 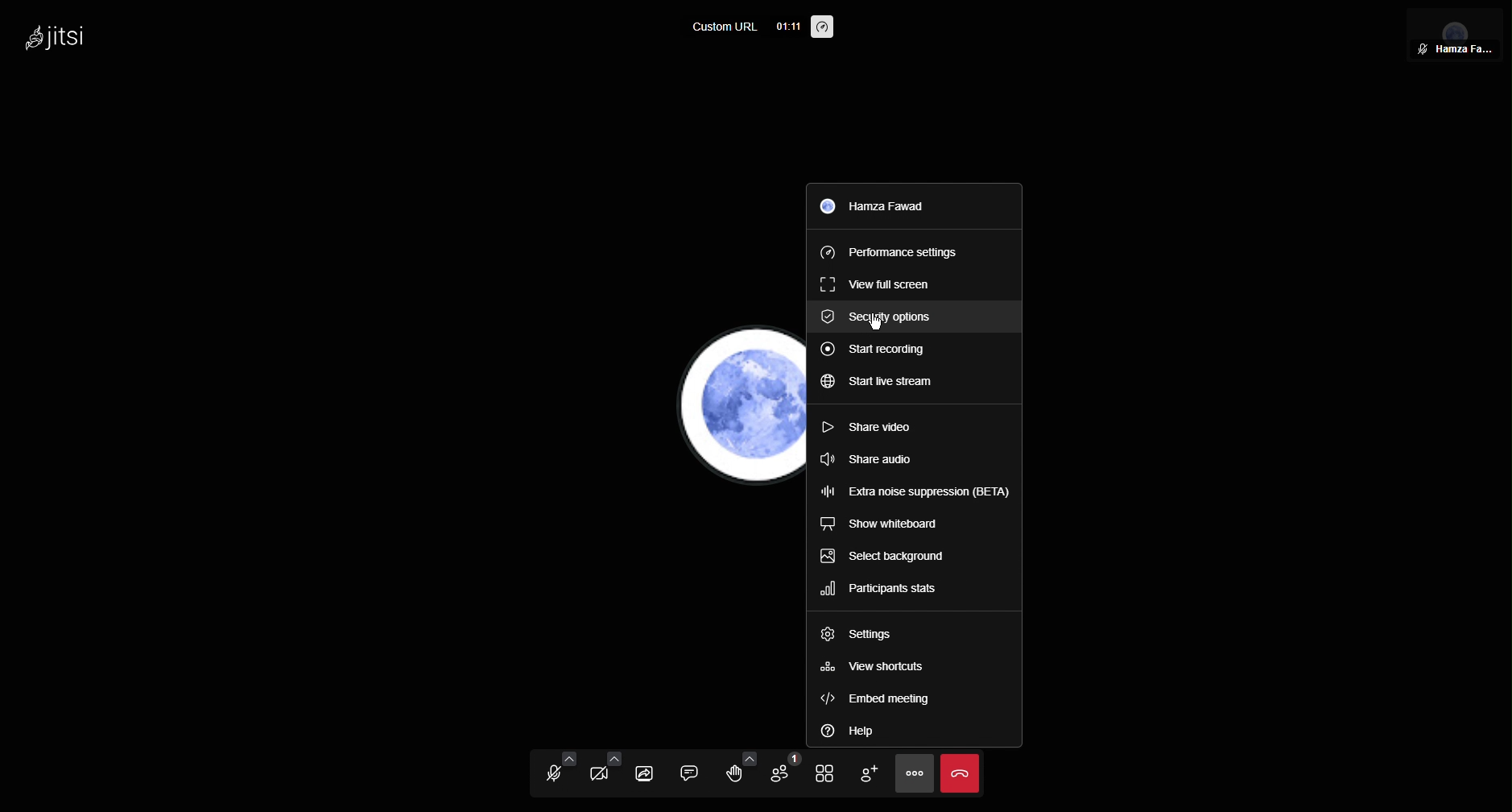 I want to click on Cursor, so click(x=877, y=323).